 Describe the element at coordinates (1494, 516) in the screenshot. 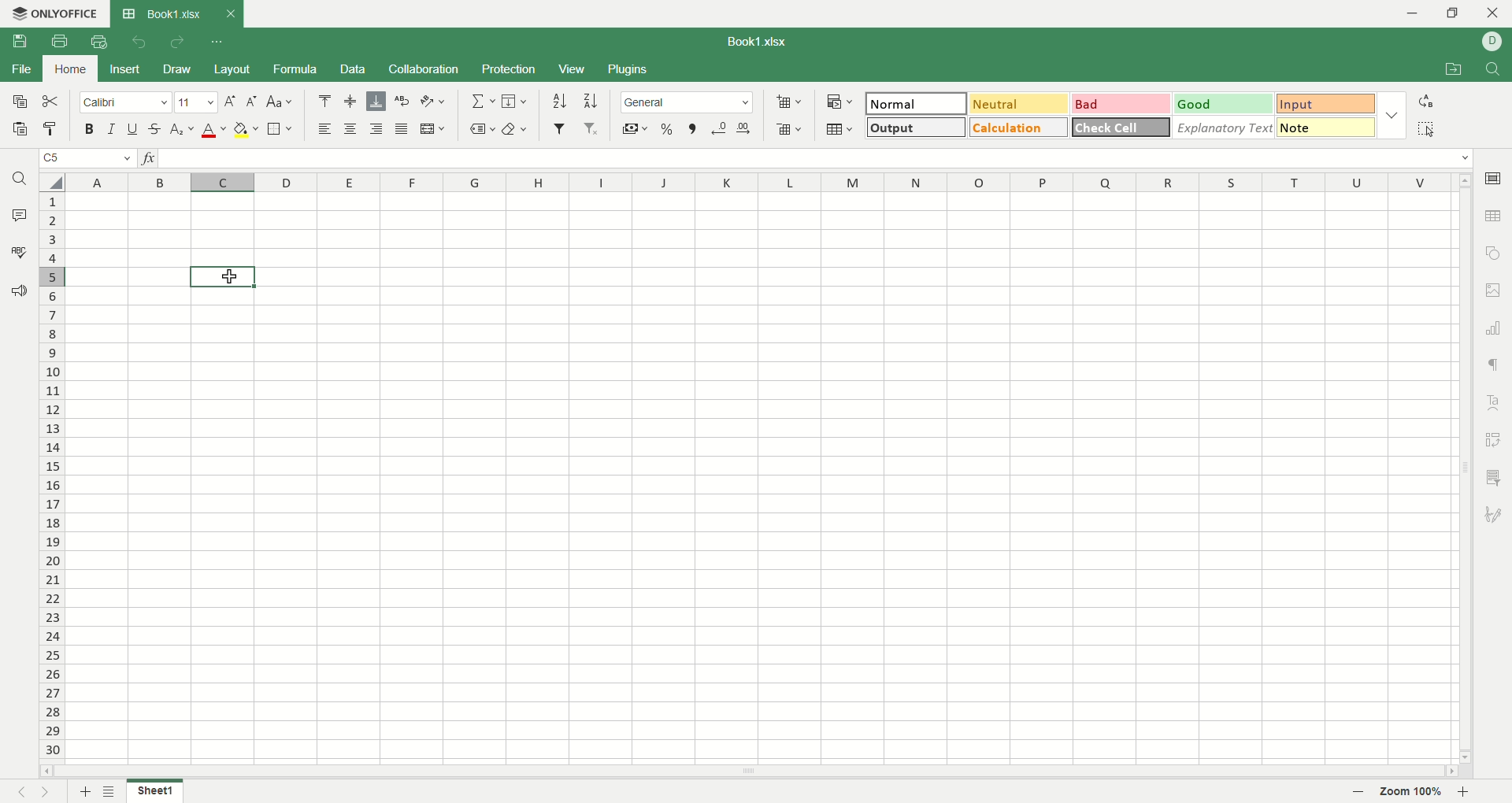

I see `signature settings` at that location.